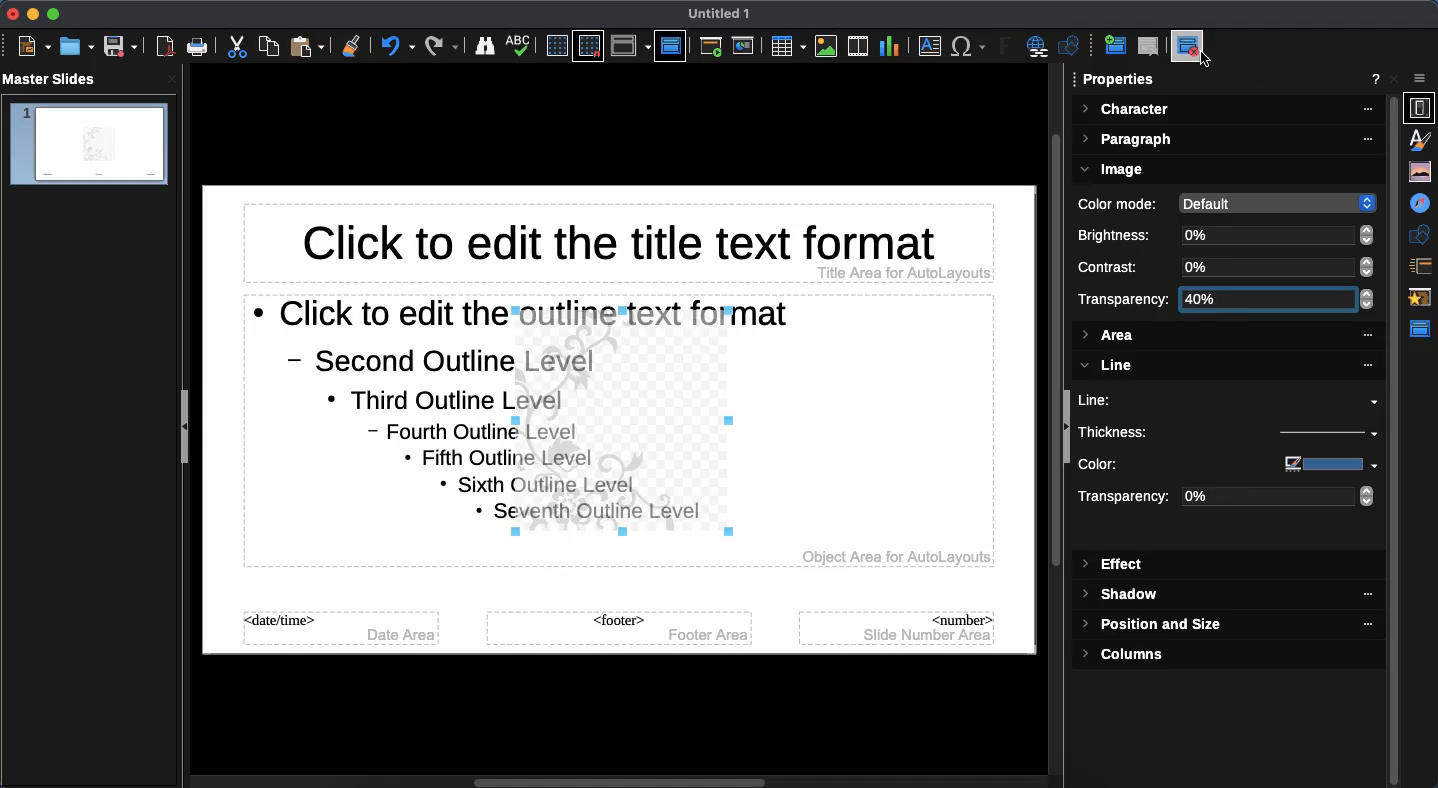 This screenshot has height=788, width=1438. I want to click on Start from current slide, so click(745, 46).